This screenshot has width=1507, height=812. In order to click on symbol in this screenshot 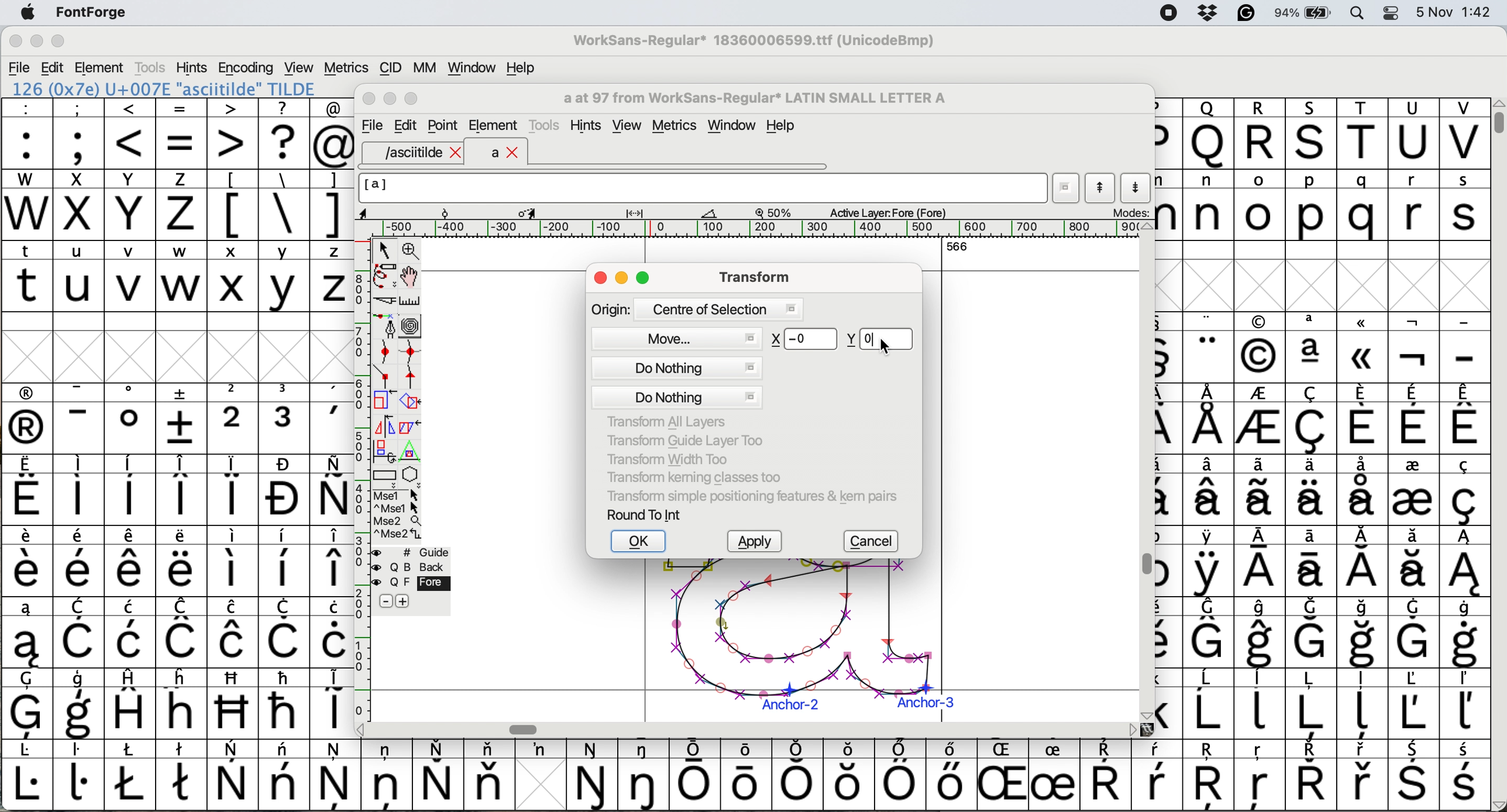, I will do `click(1209, 348)`.